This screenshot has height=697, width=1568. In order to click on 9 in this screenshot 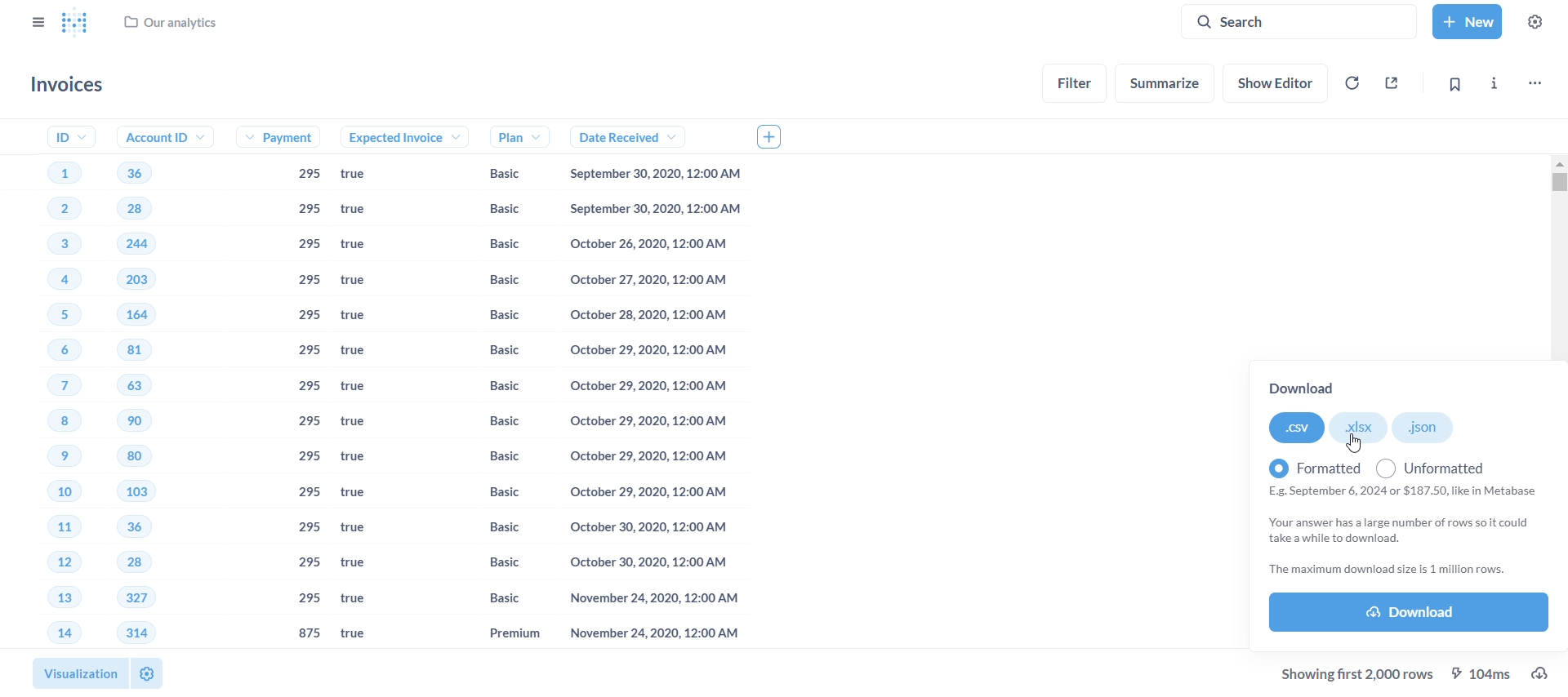, I will do `click(48, 457)`.